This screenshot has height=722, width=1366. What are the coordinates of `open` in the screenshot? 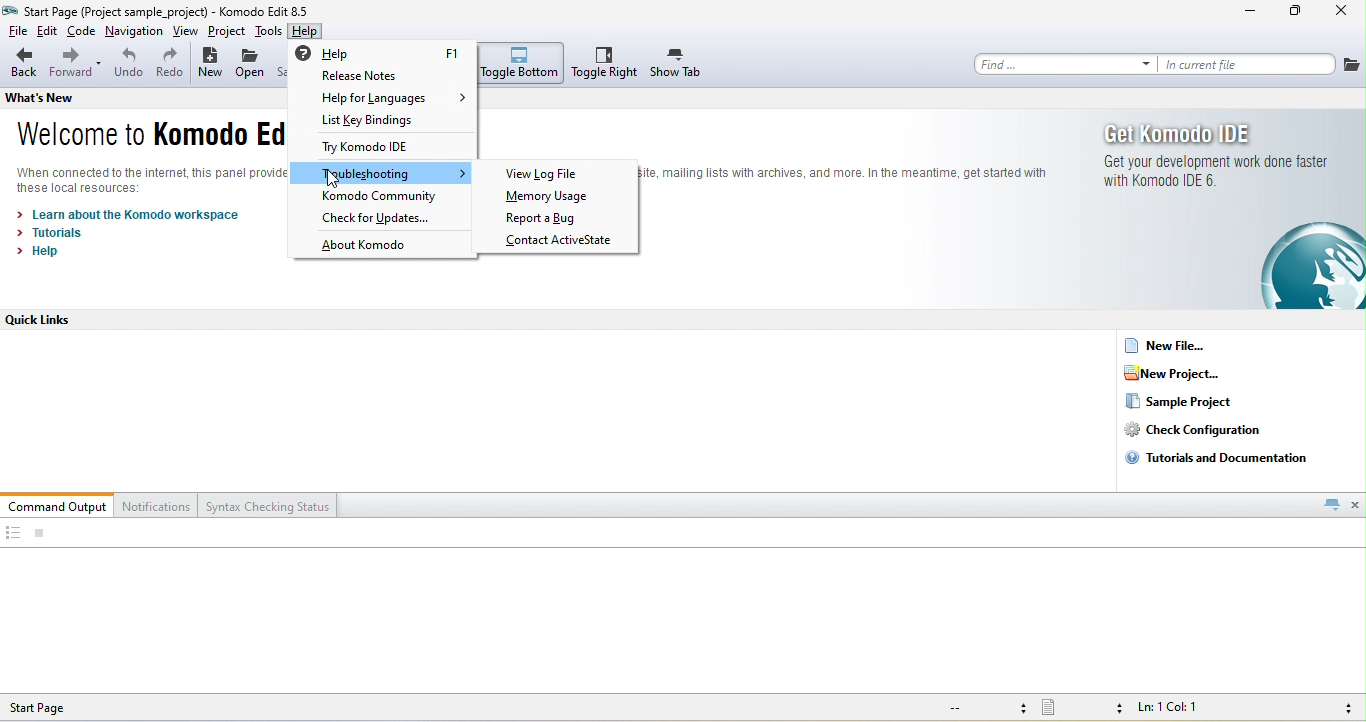 It's located at (251, 66).